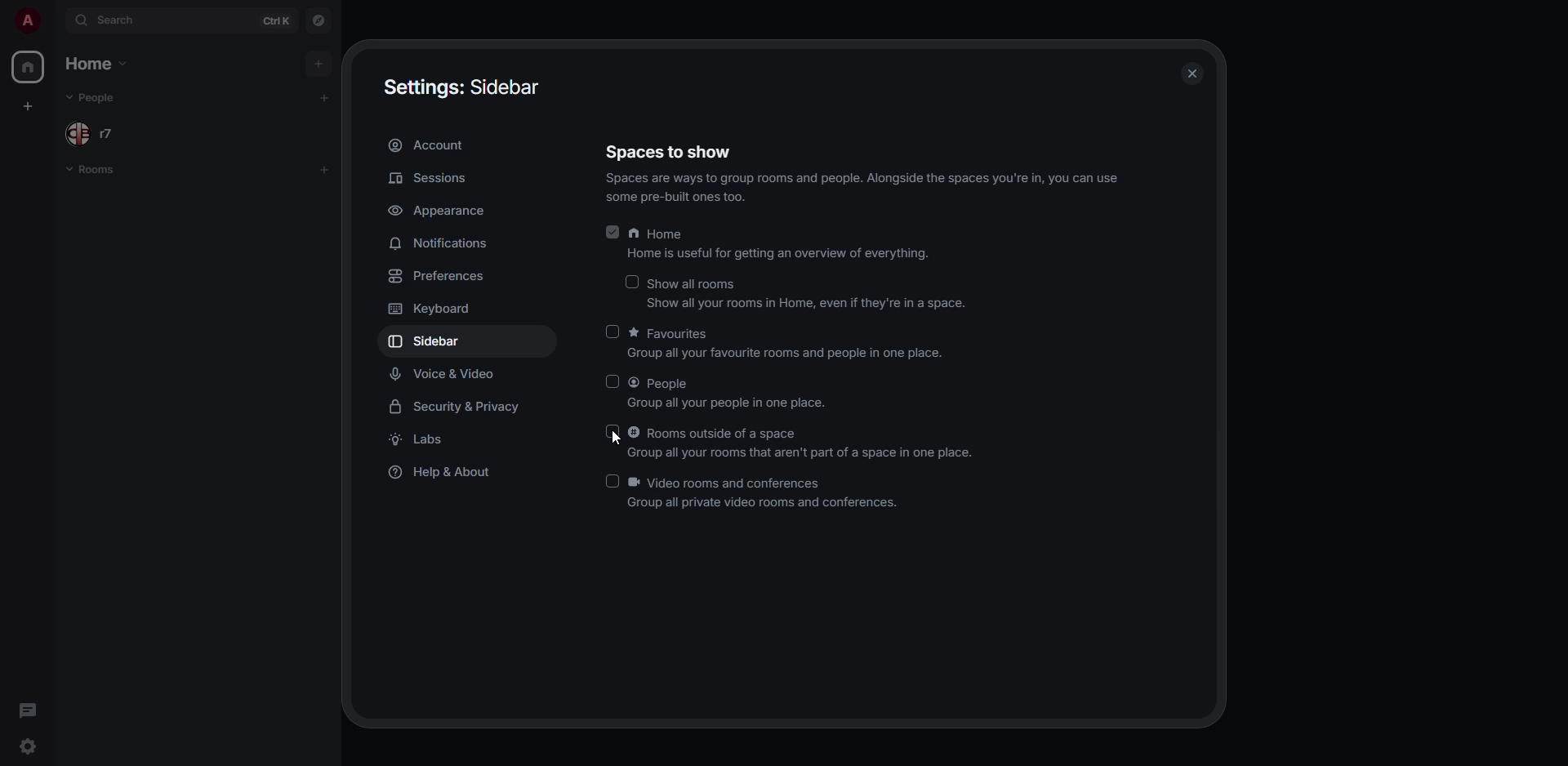 Image resolution: width=1568 pixels, height=766 pixels. What do you see at coordinates (26, 20) in the screenshot?
I see `profile` at bounding box center [26, 20].